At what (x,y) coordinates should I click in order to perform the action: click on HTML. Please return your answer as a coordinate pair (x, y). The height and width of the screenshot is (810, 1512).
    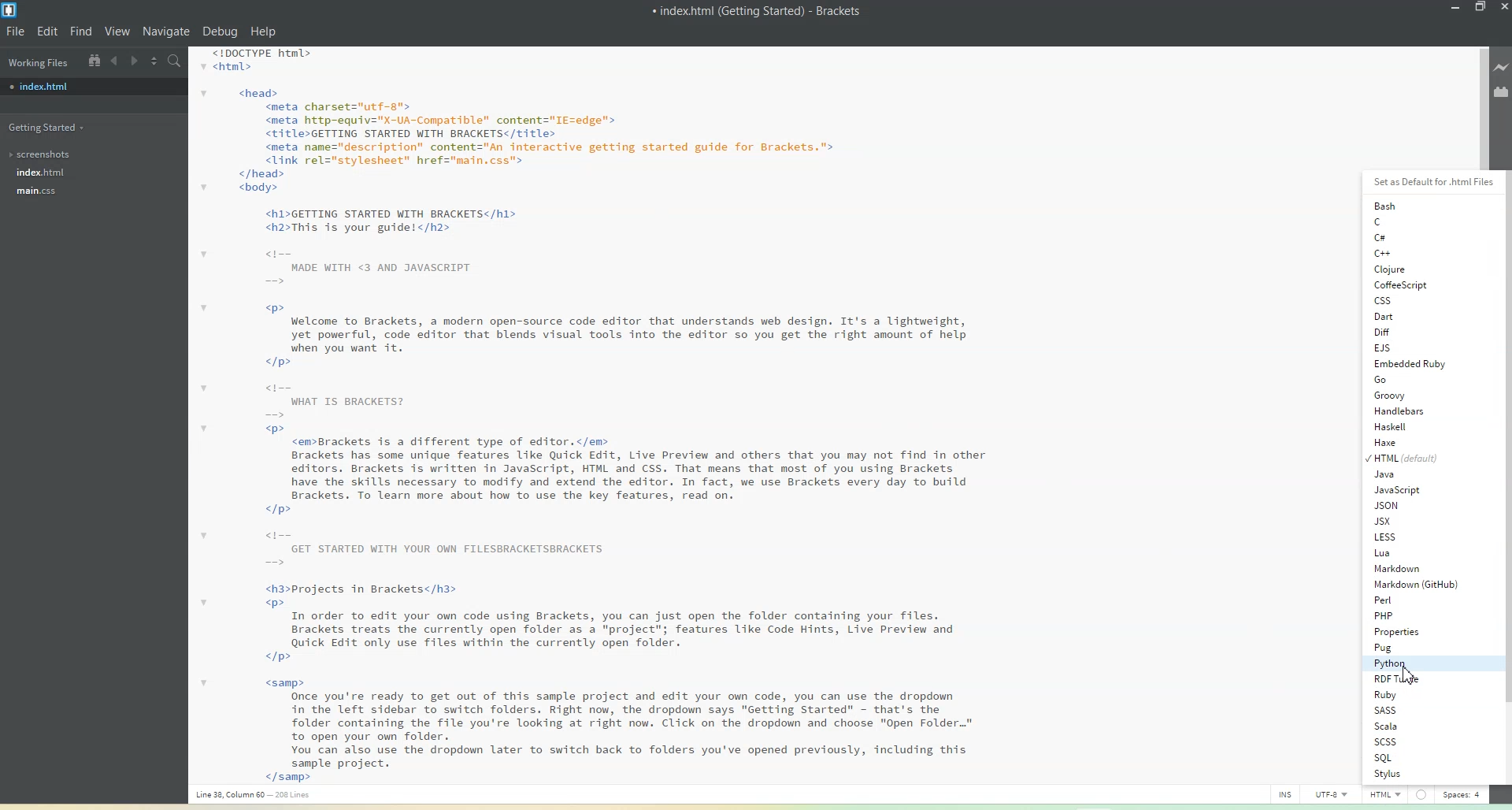
    Looking at the image, I should click on (1385, 793).